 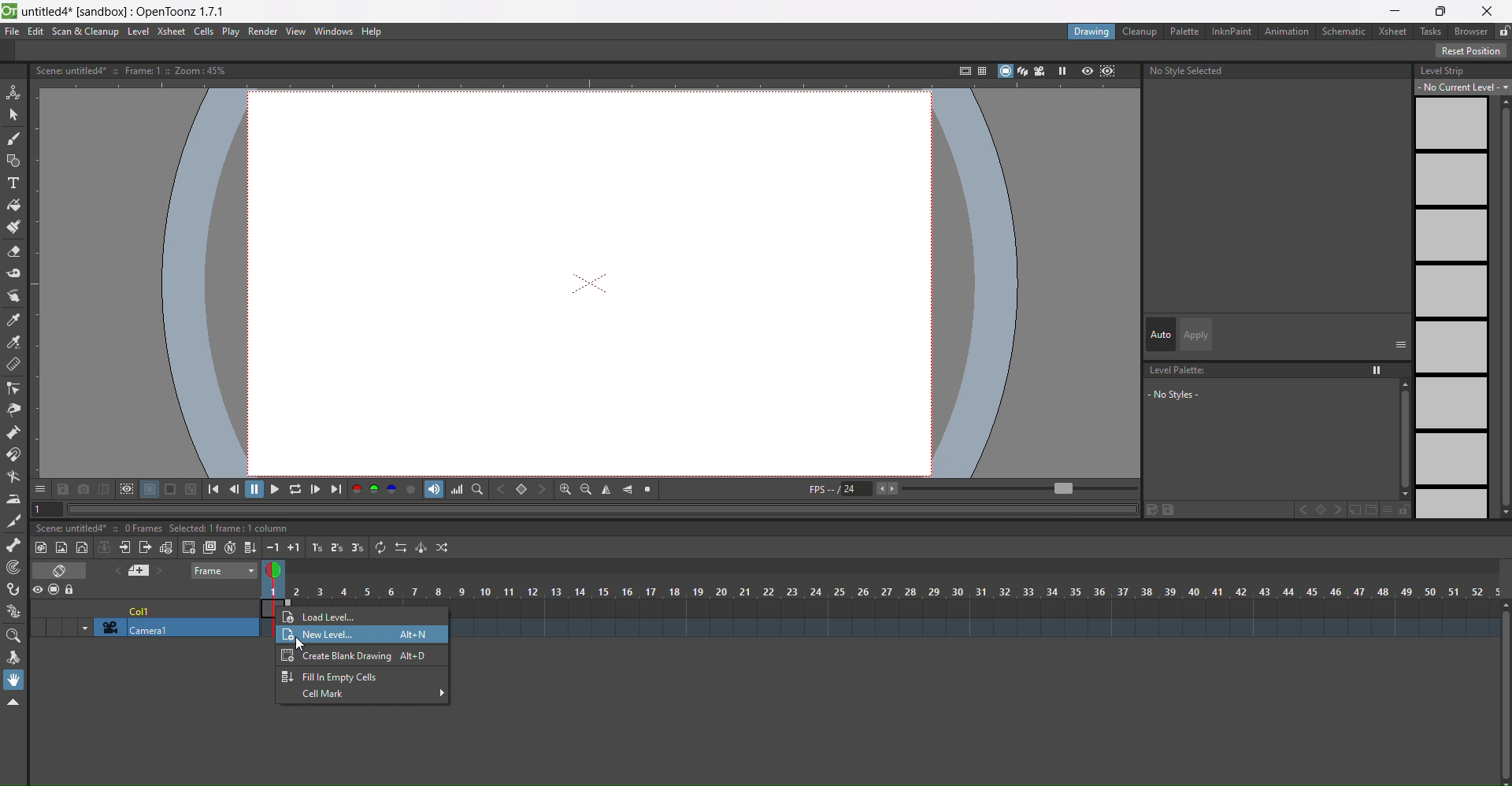 I want to click on no style selected, so click(x=1279, y=73).